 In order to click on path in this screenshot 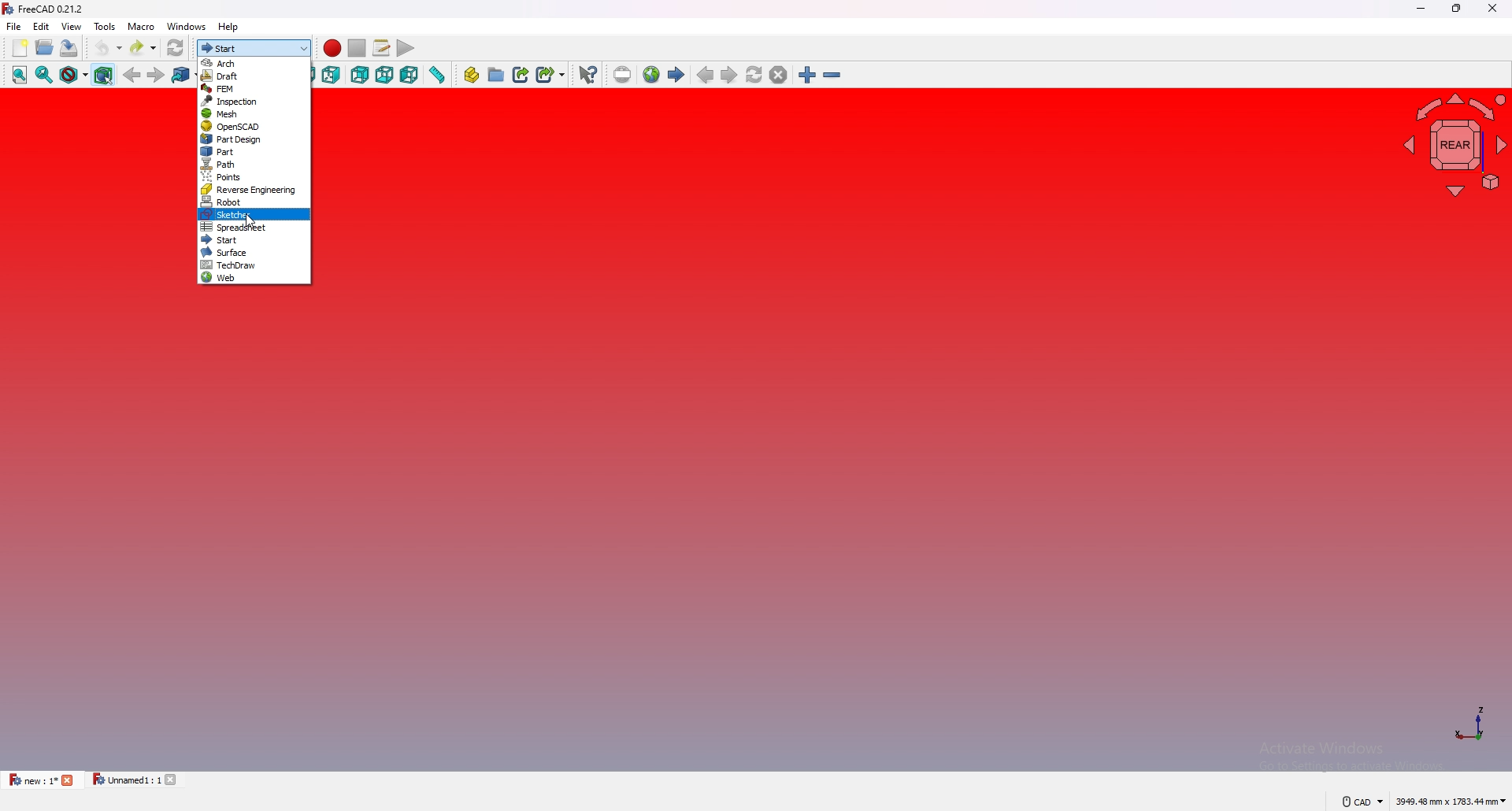, I will do `click(254, 164)`.